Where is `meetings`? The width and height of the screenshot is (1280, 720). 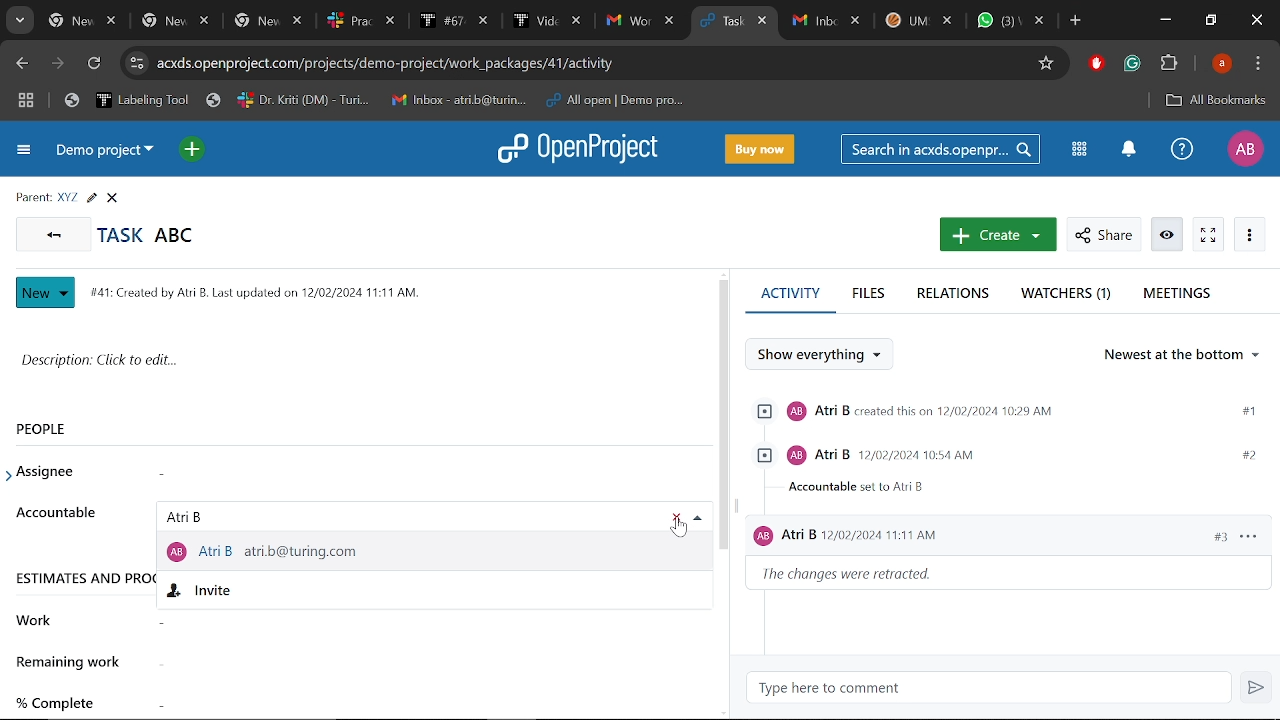 meetings is located at coordinates (1176, 295).